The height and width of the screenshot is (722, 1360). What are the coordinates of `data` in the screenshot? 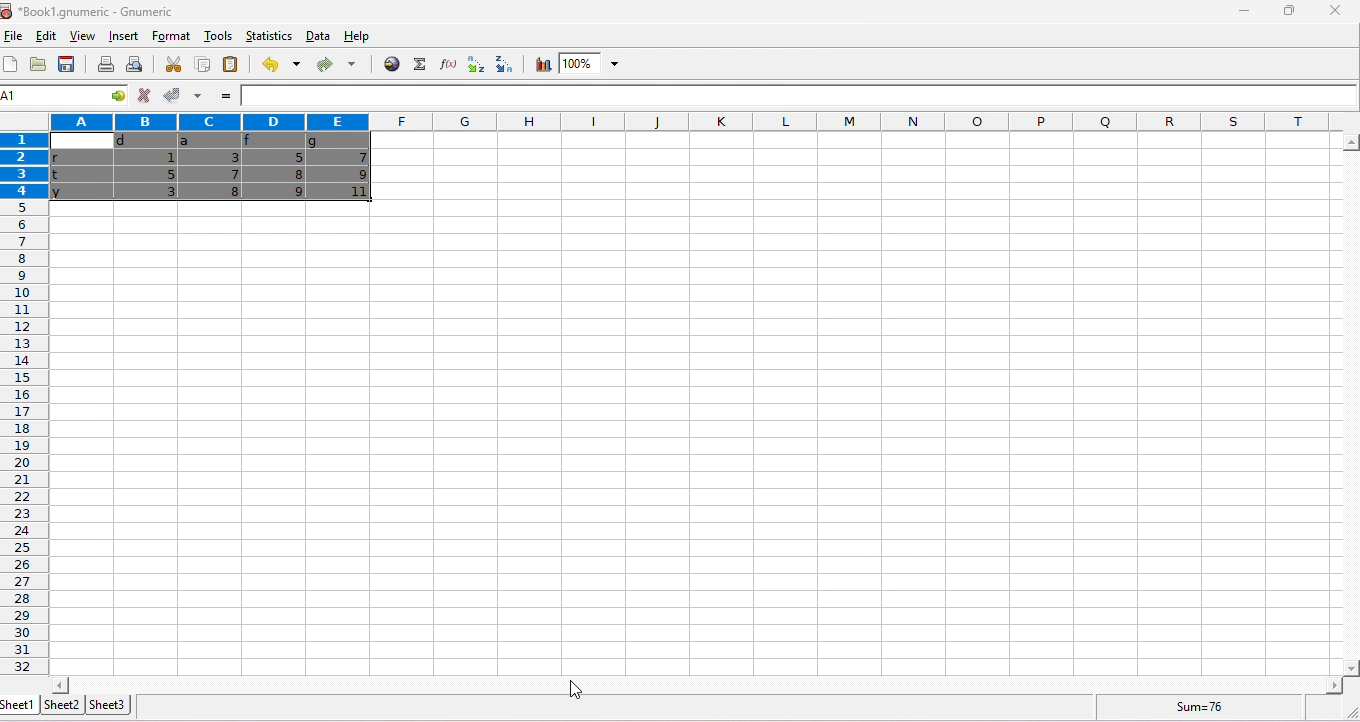 It's located at (318, 36).